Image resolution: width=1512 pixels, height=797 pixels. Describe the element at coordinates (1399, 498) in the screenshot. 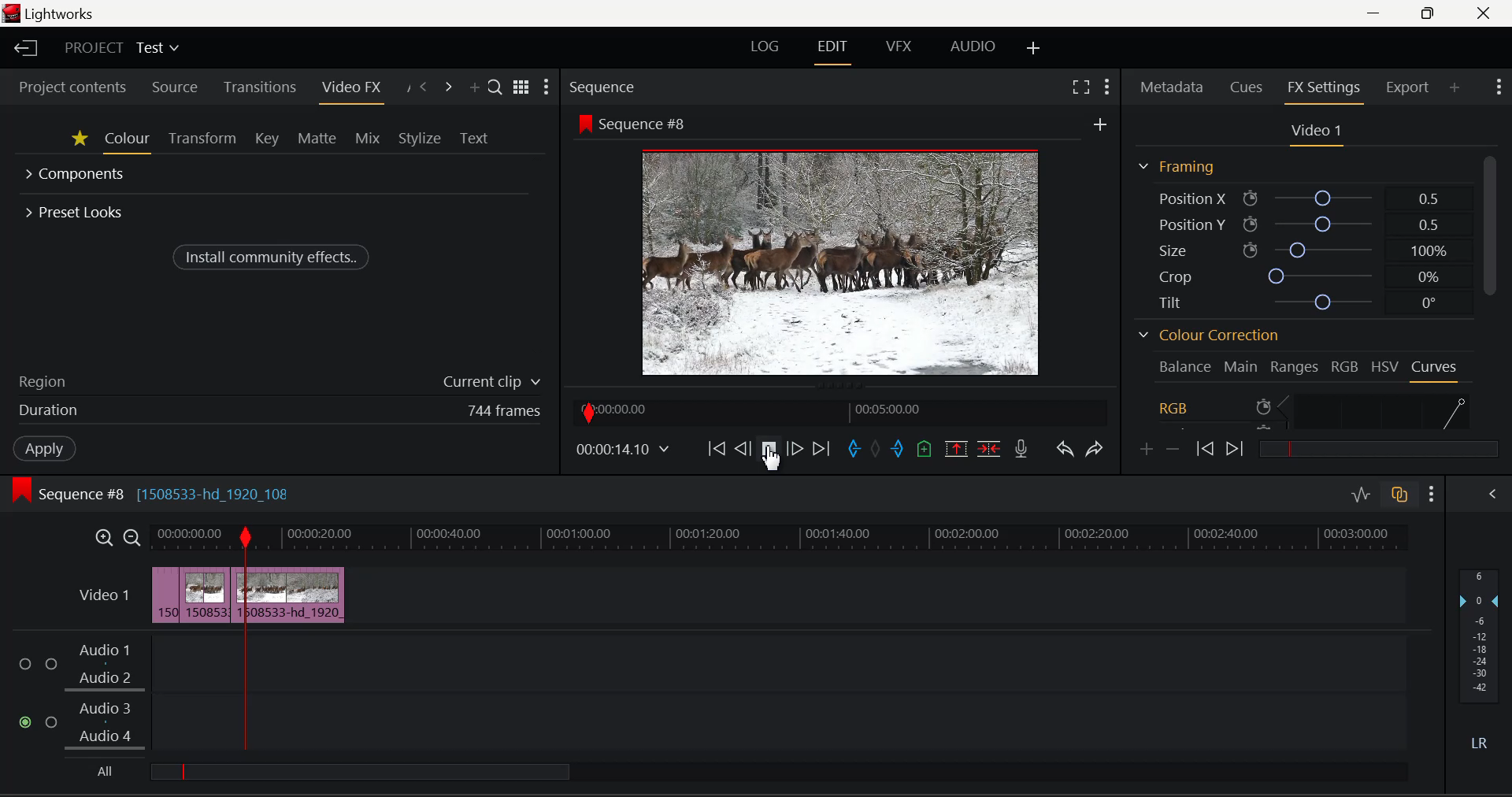

I see `Toggle audio track sync` at that location.